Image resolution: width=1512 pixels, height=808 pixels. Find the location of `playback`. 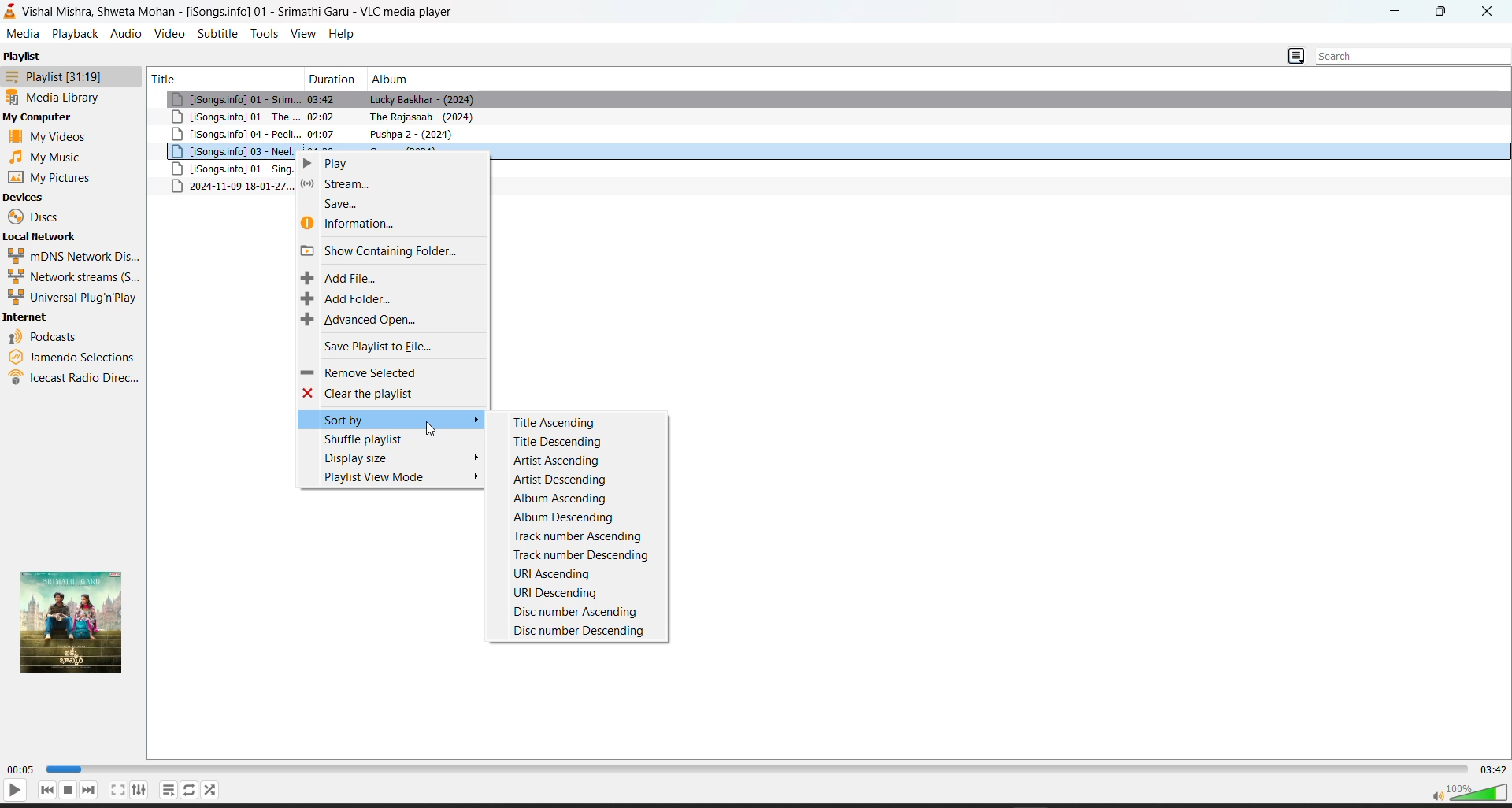

playback is located at coordinates (76, 33).